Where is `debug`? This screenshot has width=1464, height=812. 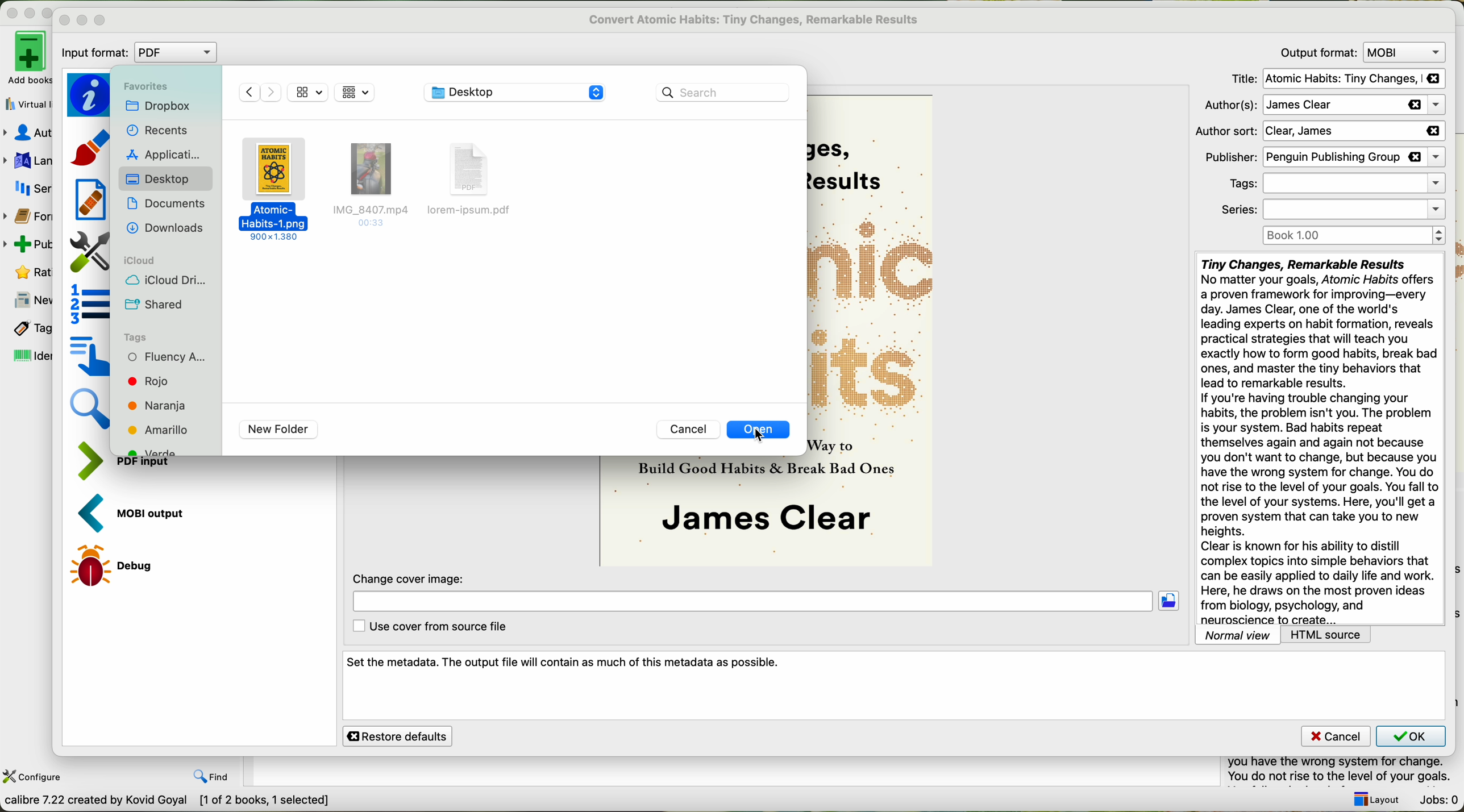
debug is located at coordinates (118, 565).